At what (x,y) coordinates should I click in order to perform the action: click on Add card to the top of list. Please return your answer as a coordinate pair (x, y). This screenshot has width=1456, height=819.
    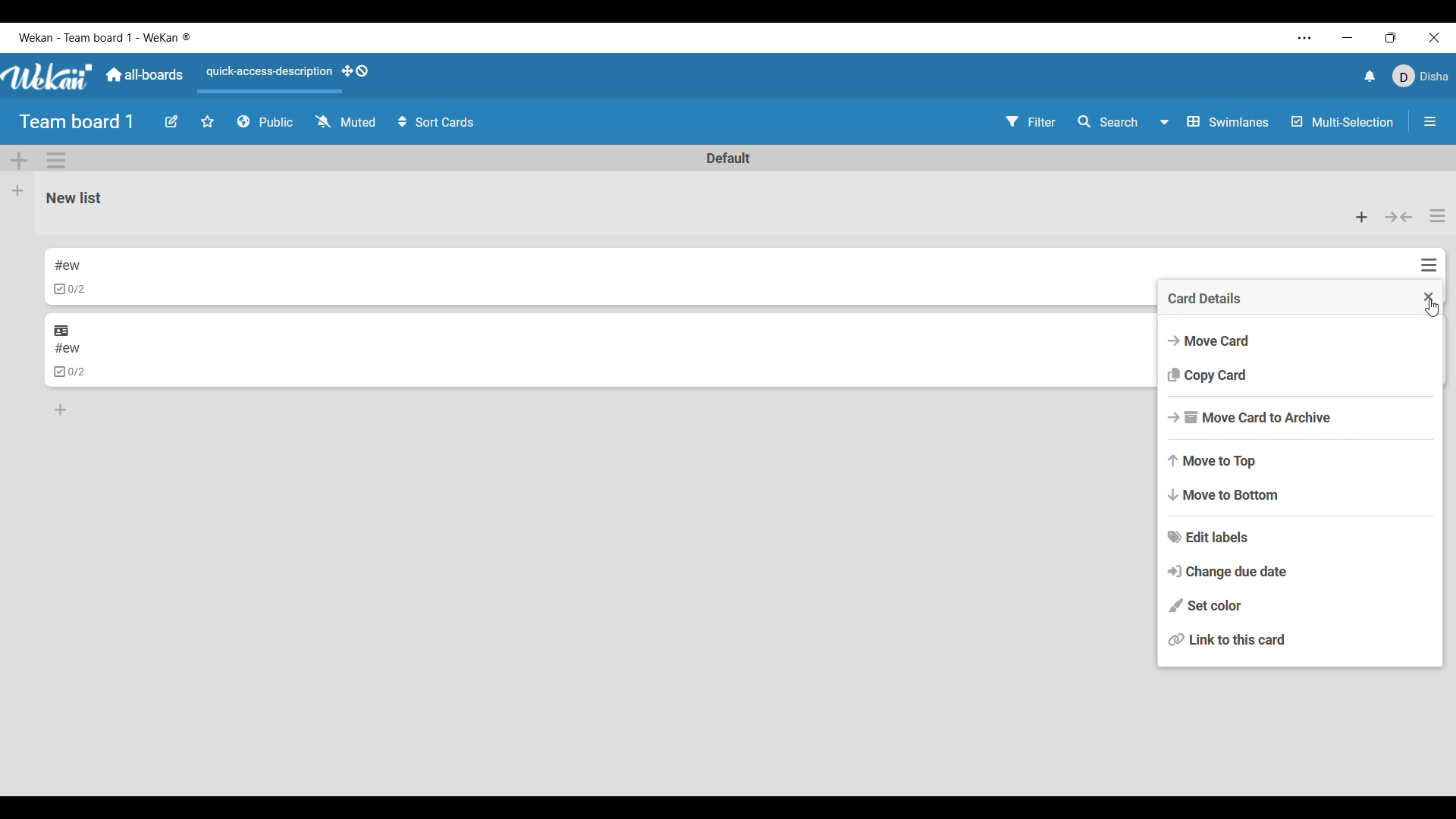
    Looking at the image, I should click on (1362, 217).